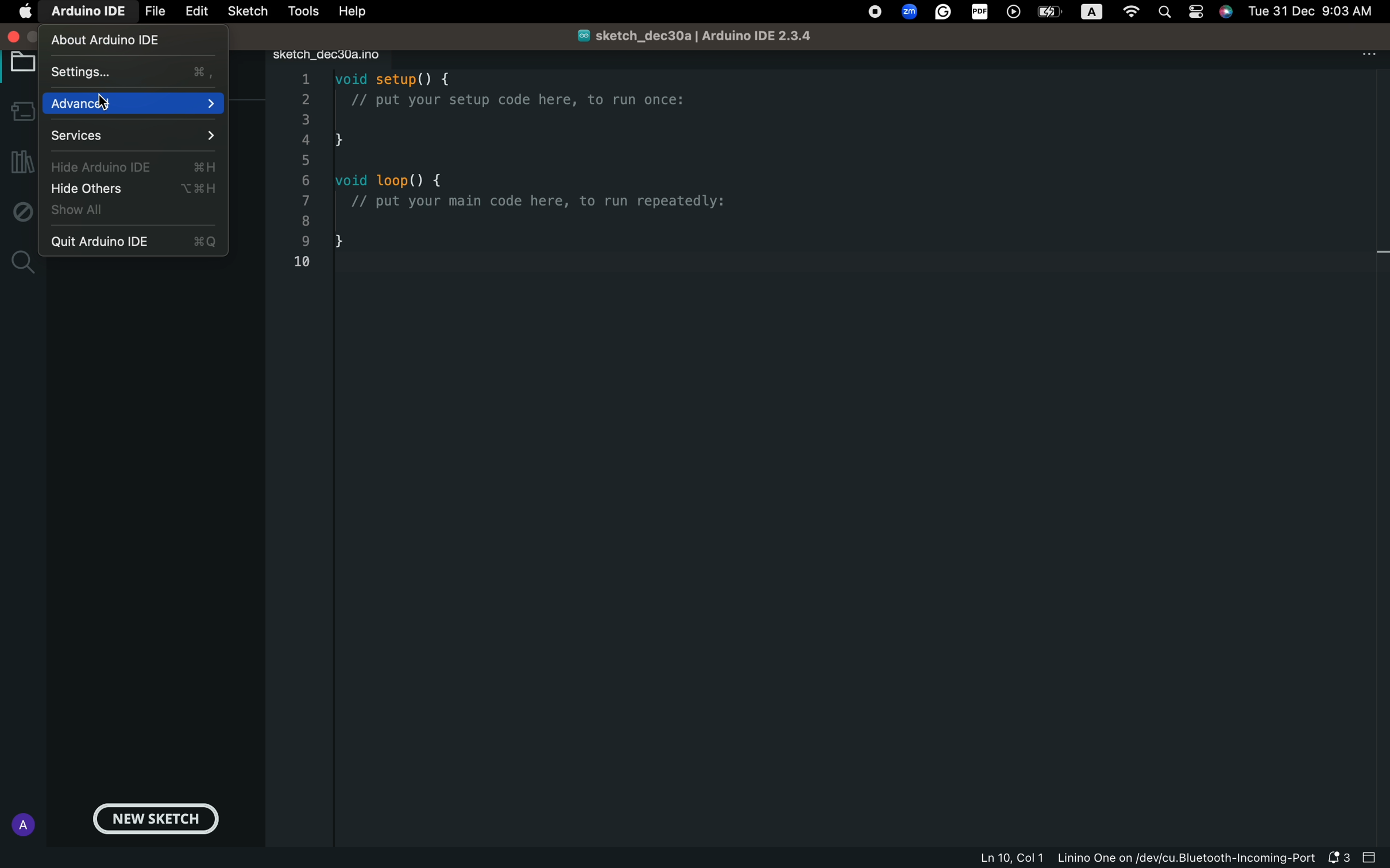  I want to click on main setting, so click(25, 13).